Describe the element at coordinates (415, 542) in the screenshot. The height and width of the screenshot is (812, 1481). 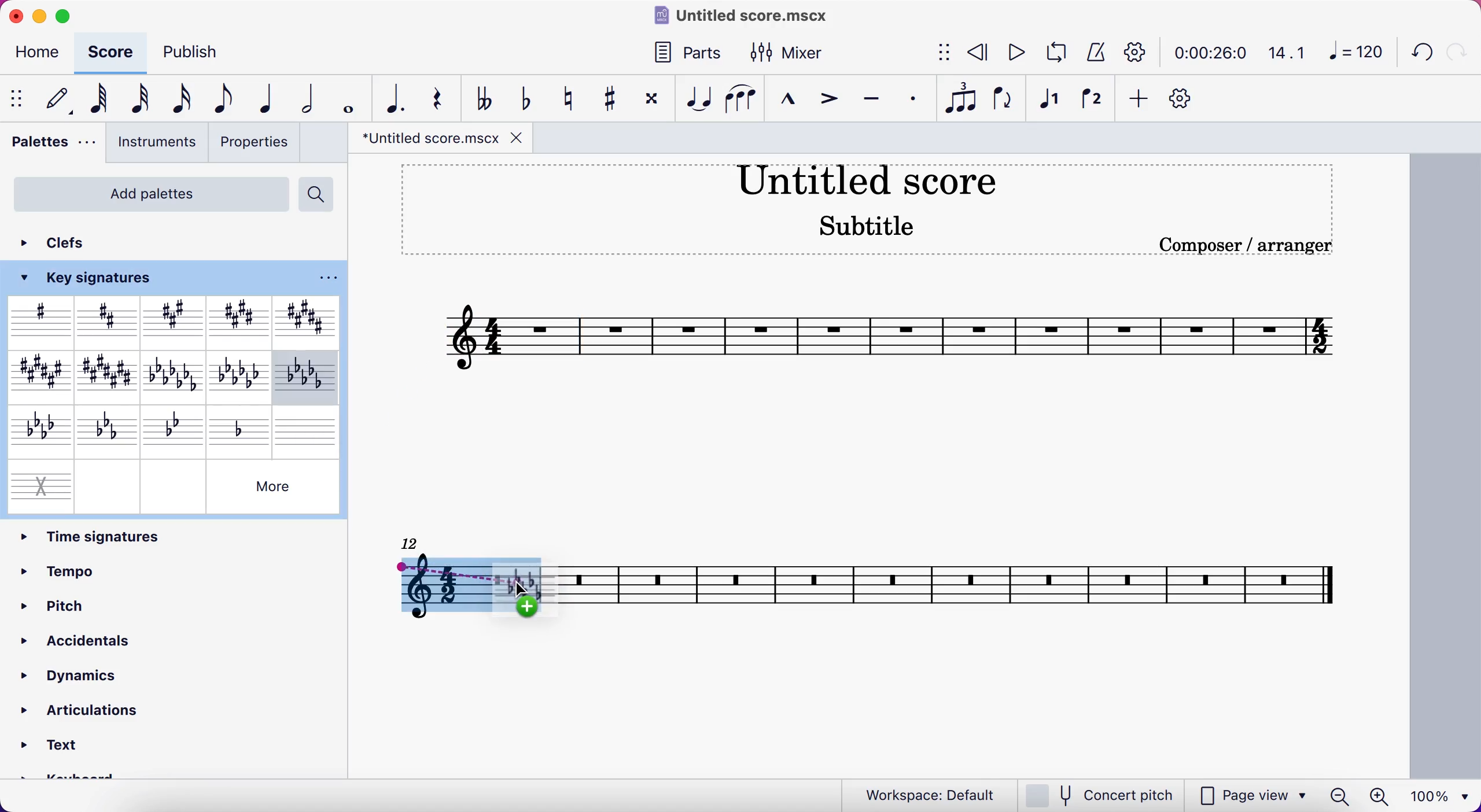
I see `12` at that location.